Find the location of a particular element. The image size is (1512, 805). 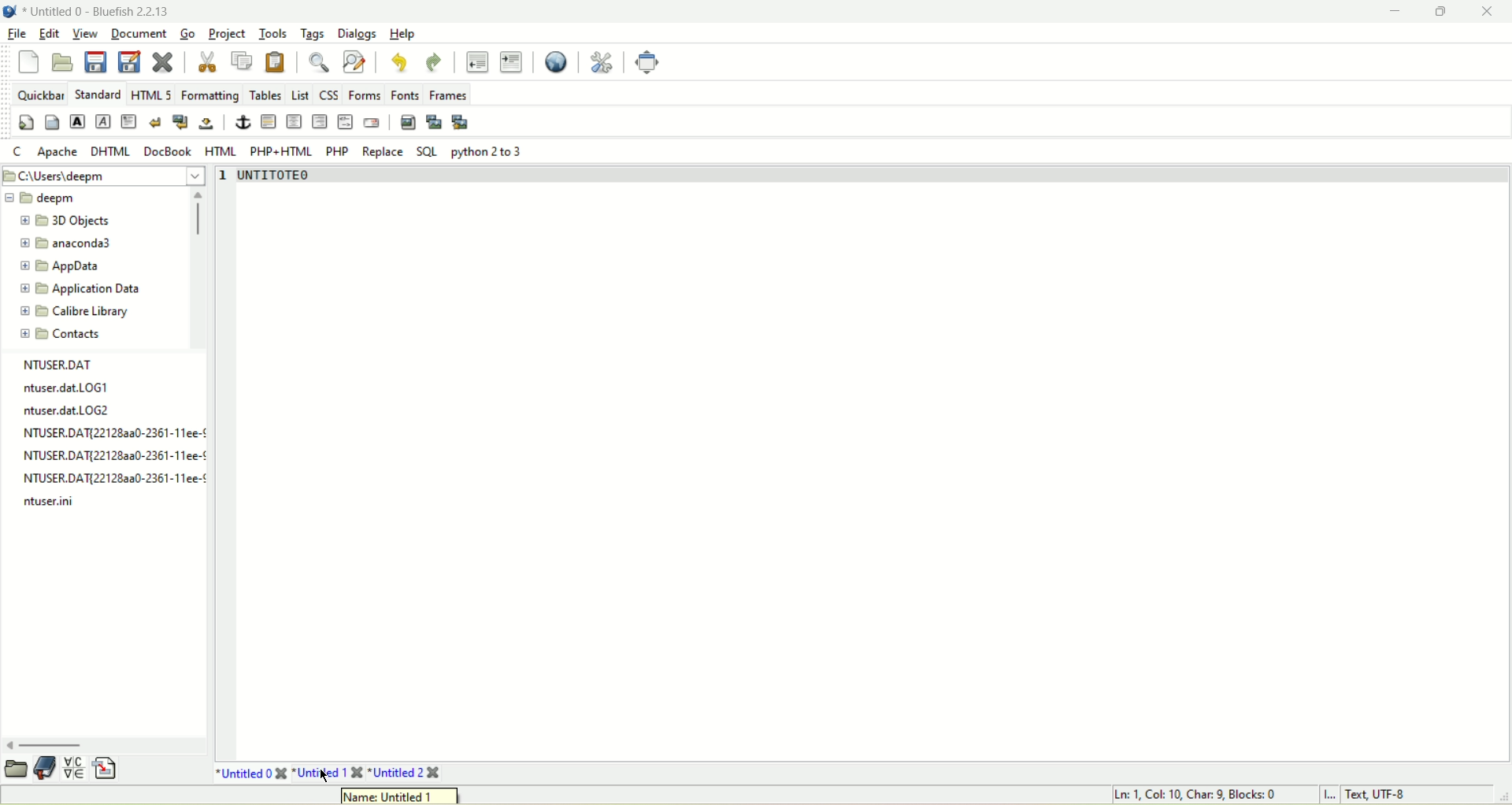

log is located at coordinates (117, 478).